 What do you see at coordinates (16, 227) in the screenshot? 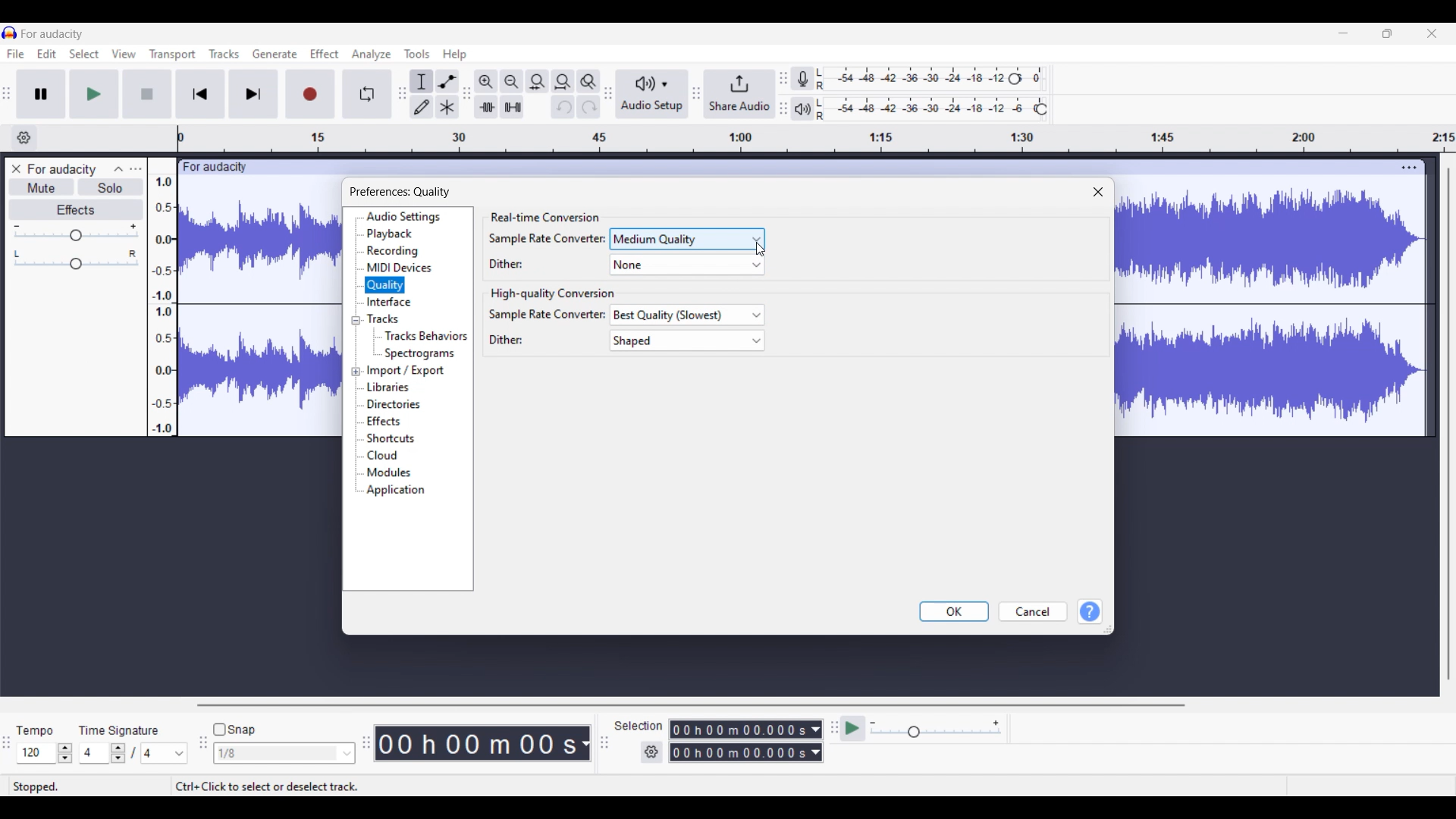
I see `Decrease volume` at bounding box center [16, 227].